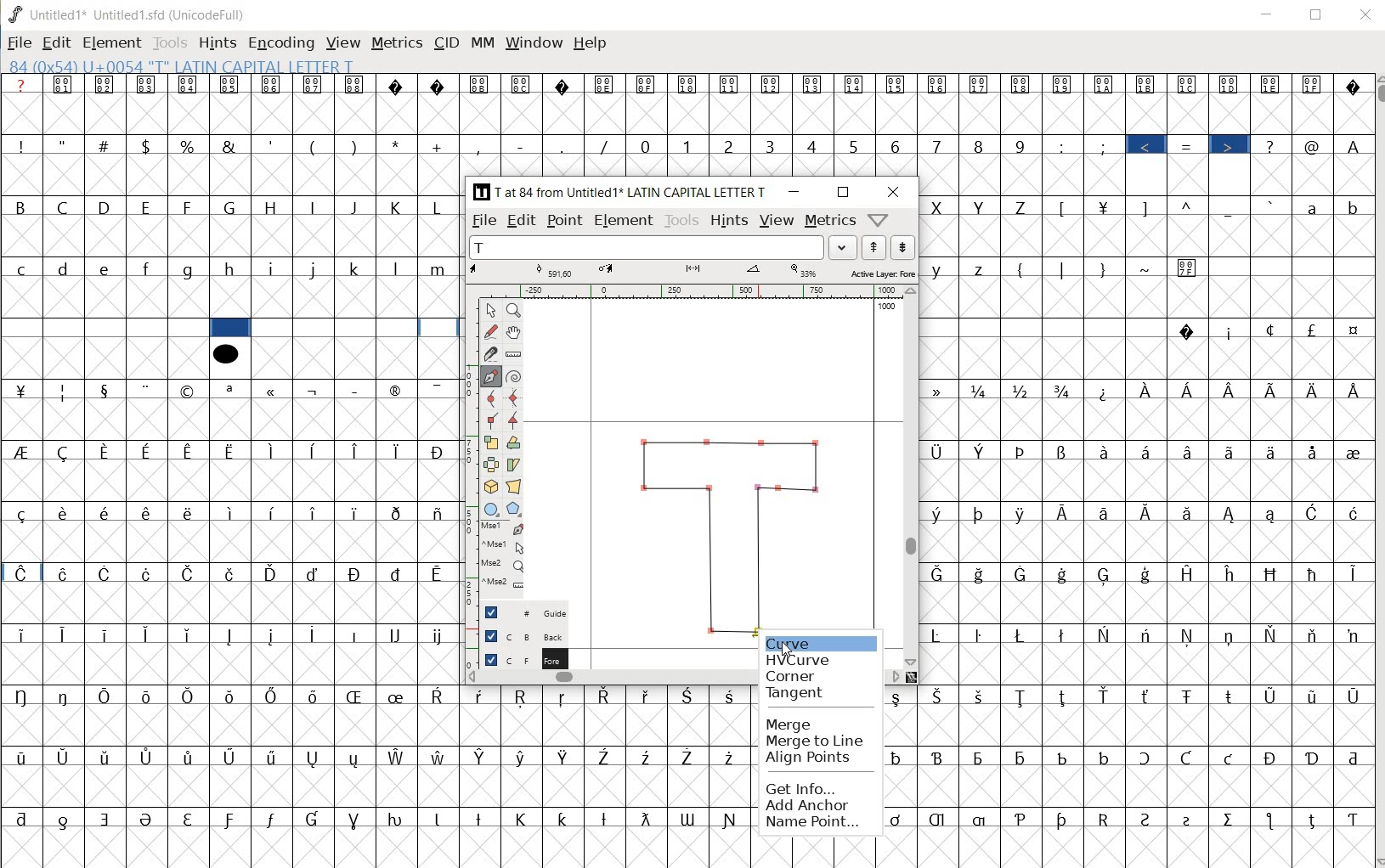 This screenshot has width=1385, height=868. What do you see at coordinates (1272, 820) in the screenshot?
I see `Symbol` at bounding box center [1272, 820].